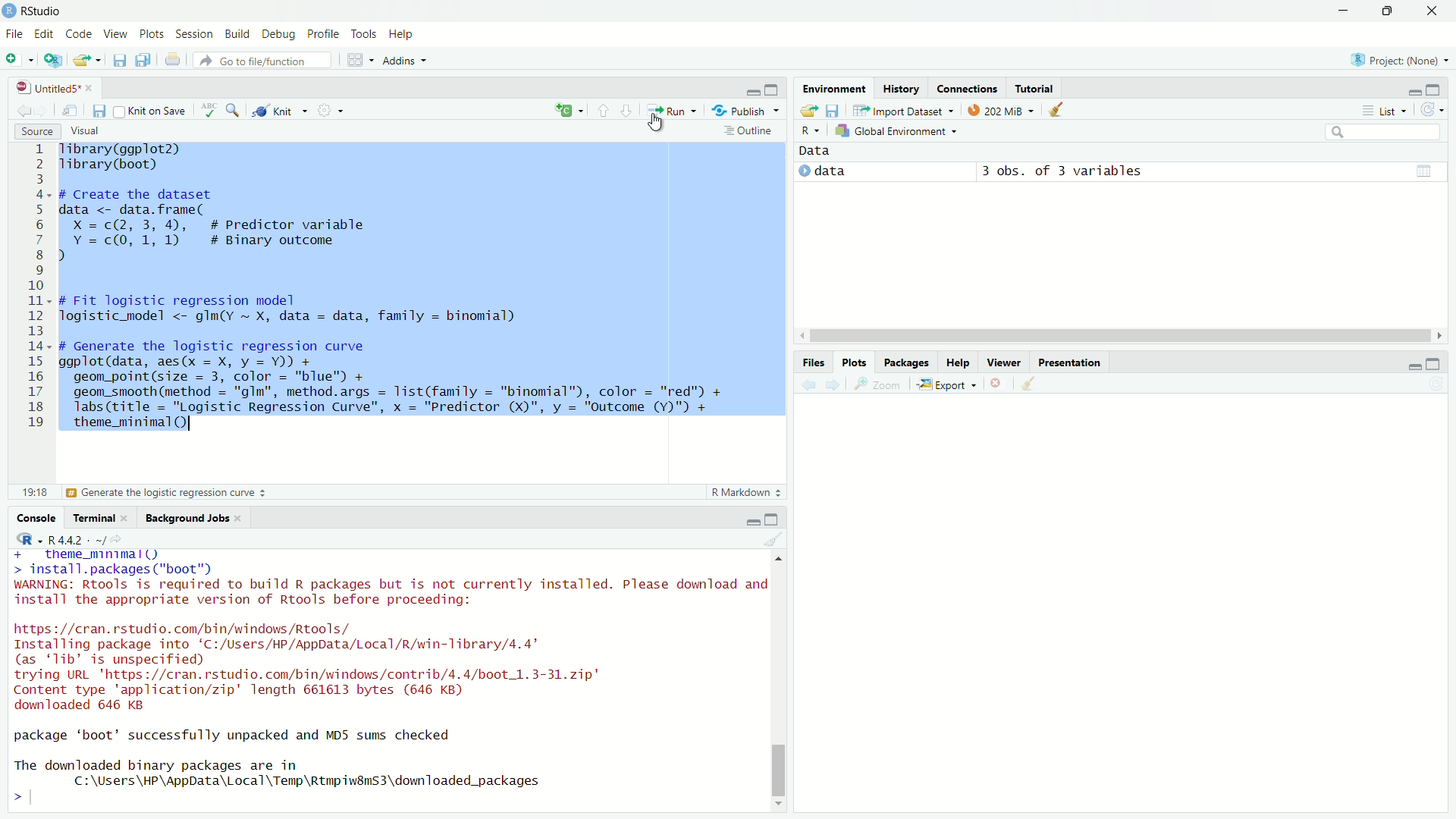 Image resolution: width=1456 pixels, height=819 pixels. What do you see at coordinates (1343, 11) in the screenshot?
I see `minimize` at bounding box center [1343, 11].